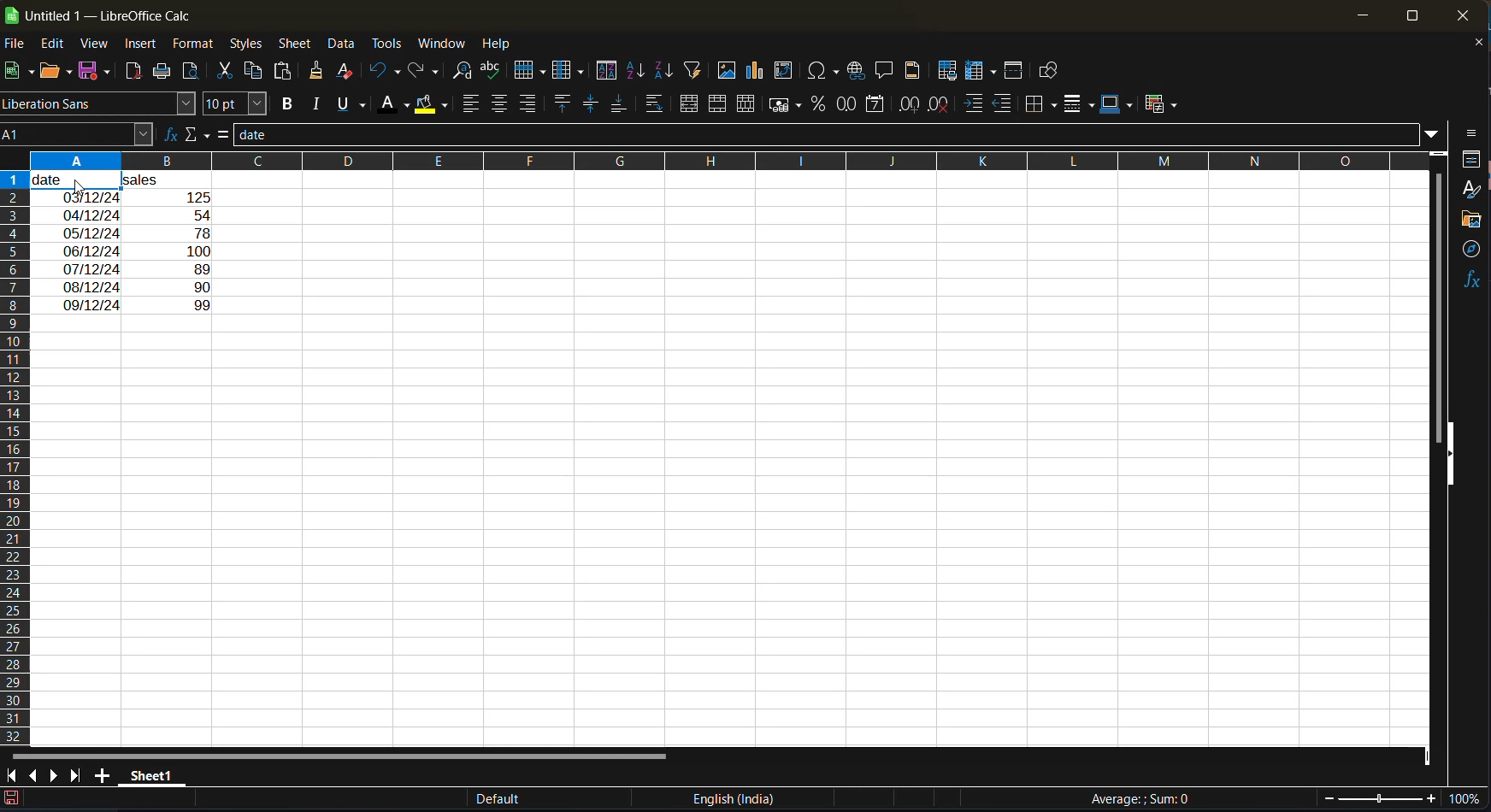 The image size is (1491, 812). Describe the element at coordinates (462, 74) in the screenshot. I see `find and replace` at that location.